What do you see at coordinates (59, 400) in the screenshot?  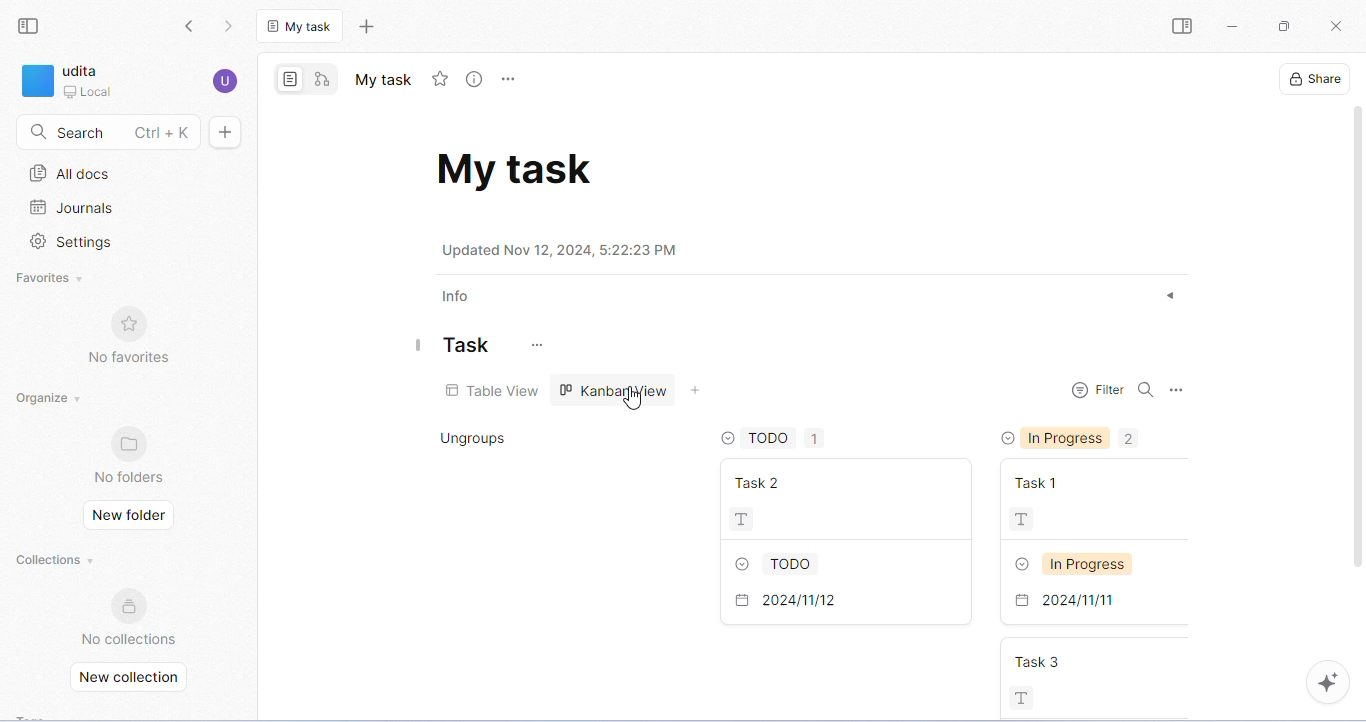 I see `organize` at bounding box center [59, 400].